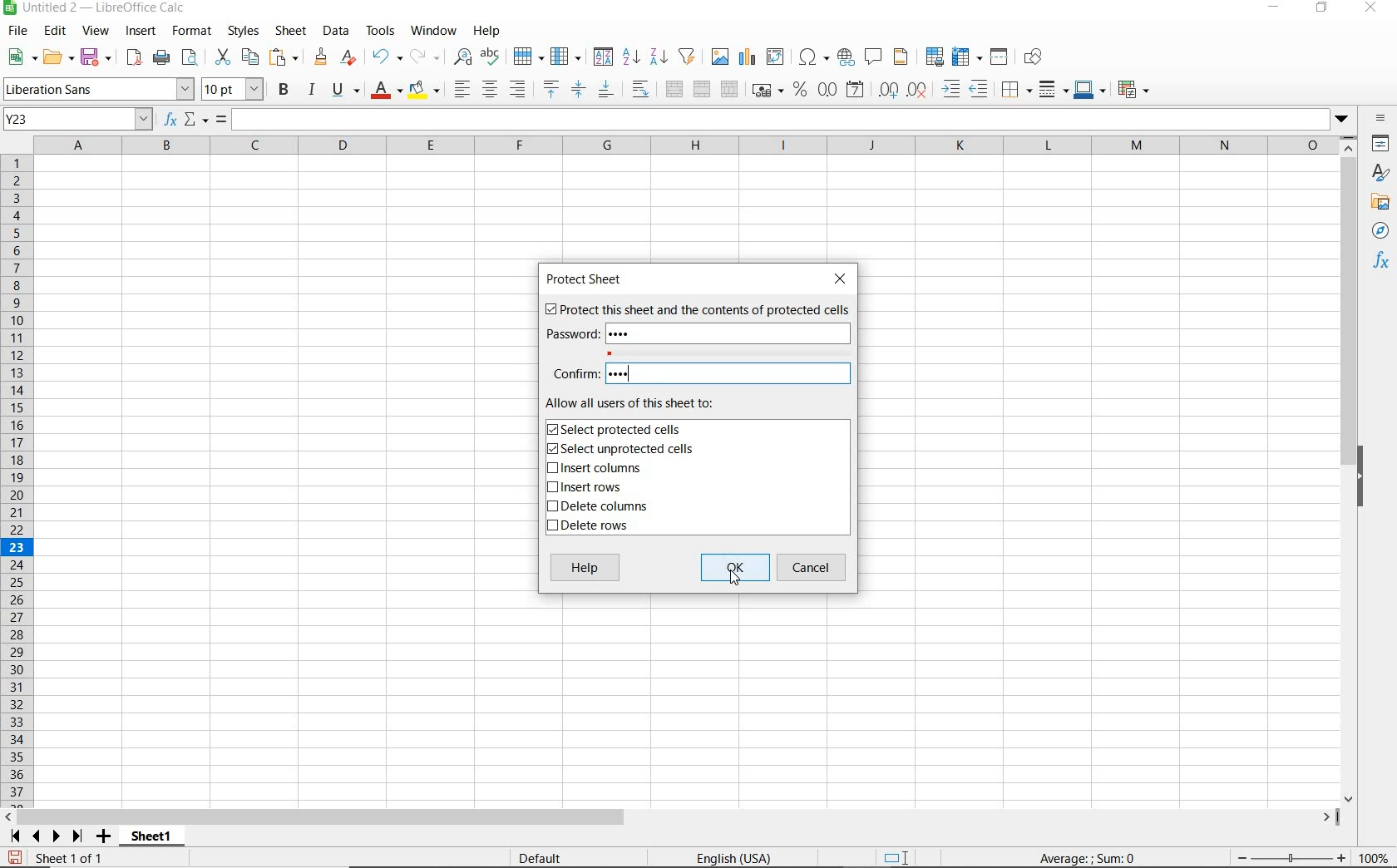  What do you see at coordinates (250, 57) in the screenshot?
I see `COPY` at bounding box center [250, 57].